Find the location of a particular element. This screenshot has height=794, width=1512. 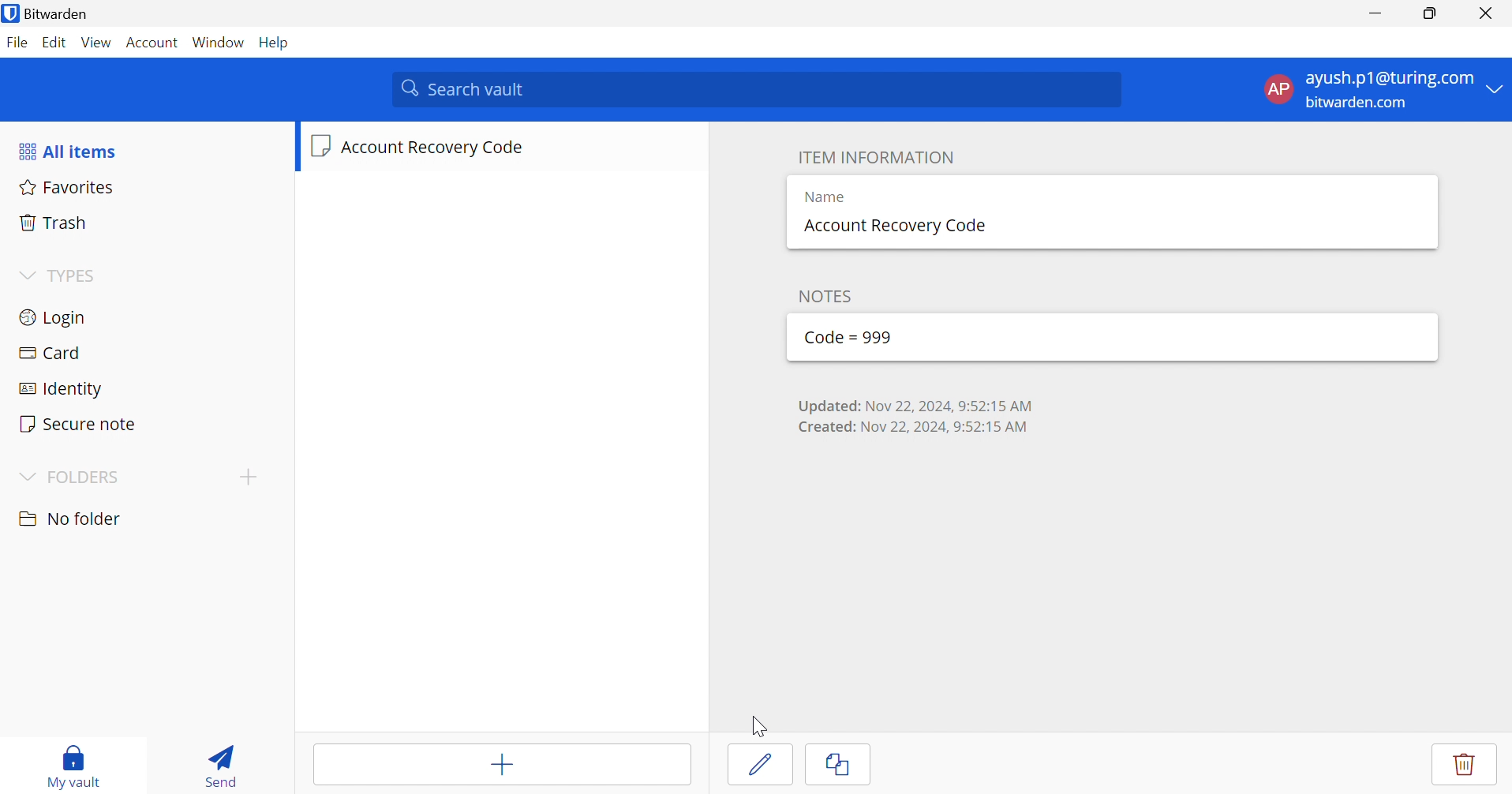

Clone is located at coordinates (836, 765).